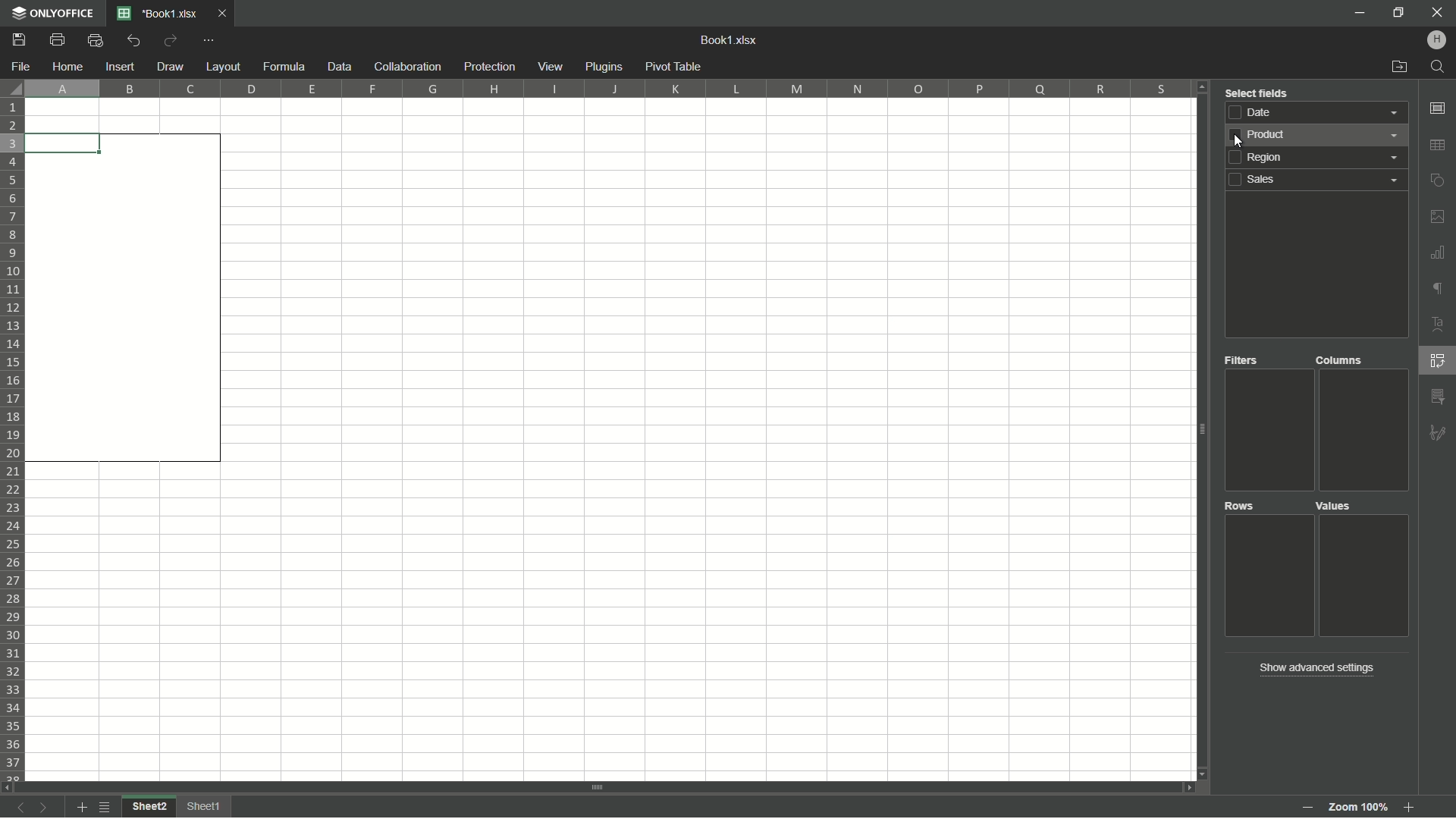 The width and height of the screenshot is (1456, 819). I want to click on text art, so click(1439, 325).